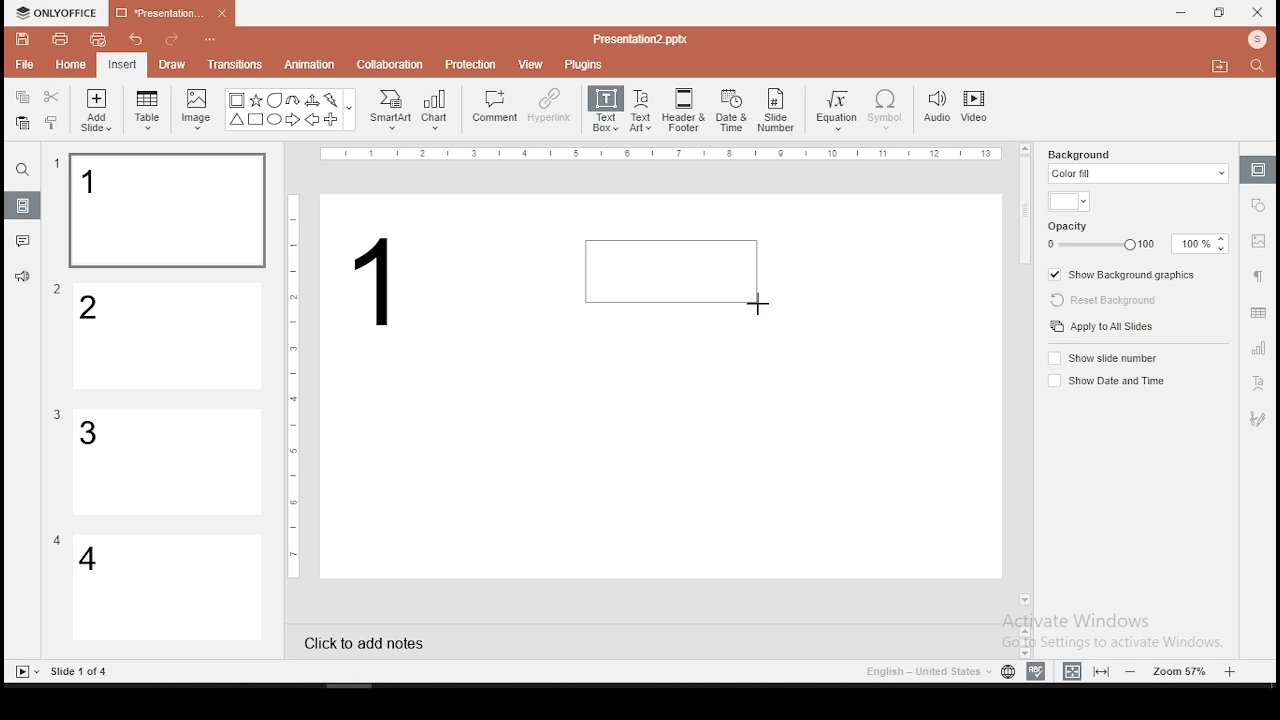 The width and height of the screenshot is (1280, 720). I want to click on paste, so click(21, 123).